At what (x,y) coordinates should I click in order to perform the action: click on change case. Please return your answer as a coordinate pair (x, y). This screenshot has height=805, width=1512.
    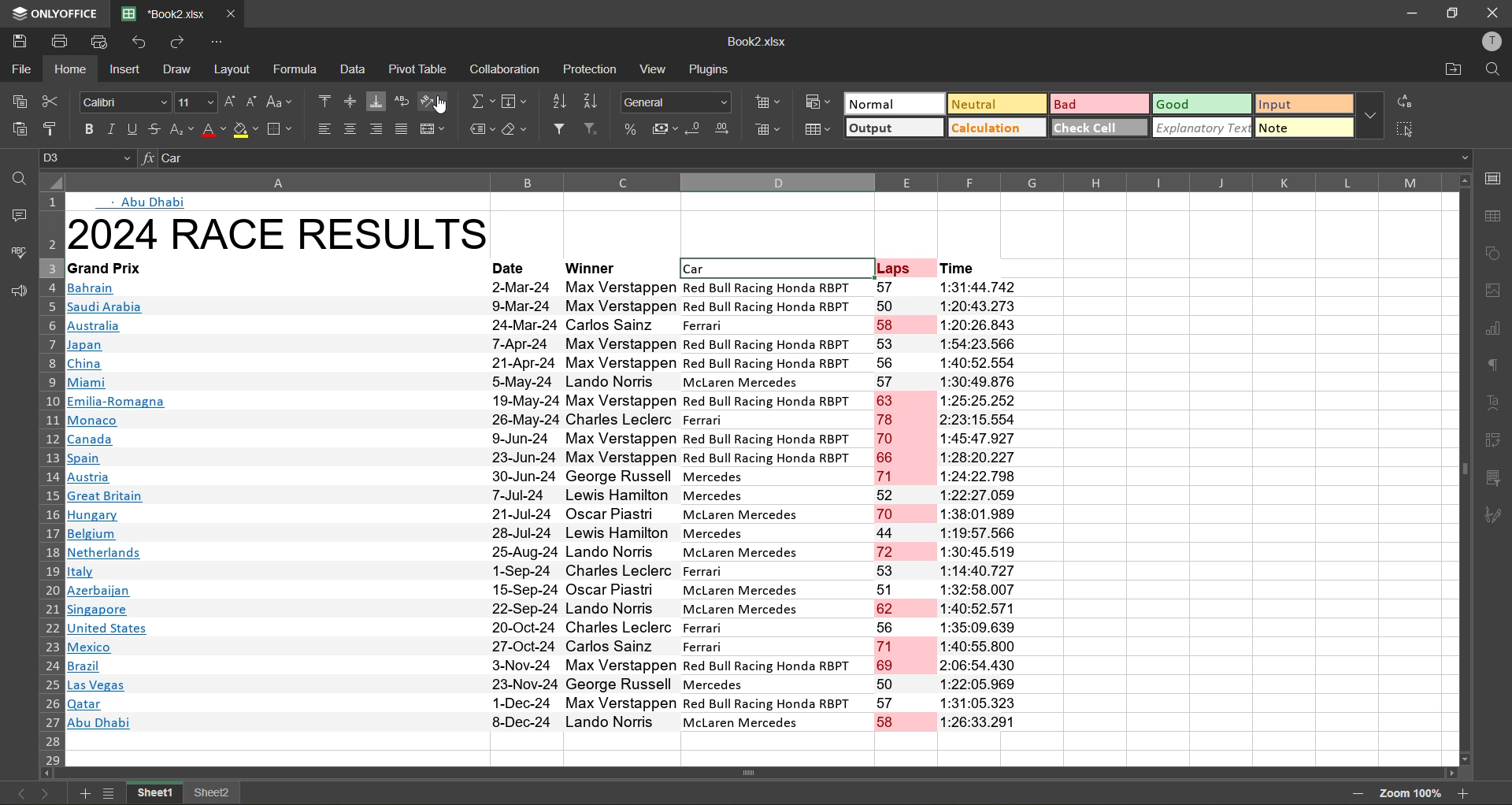
    Looking at the image, I should click on (280, 102).